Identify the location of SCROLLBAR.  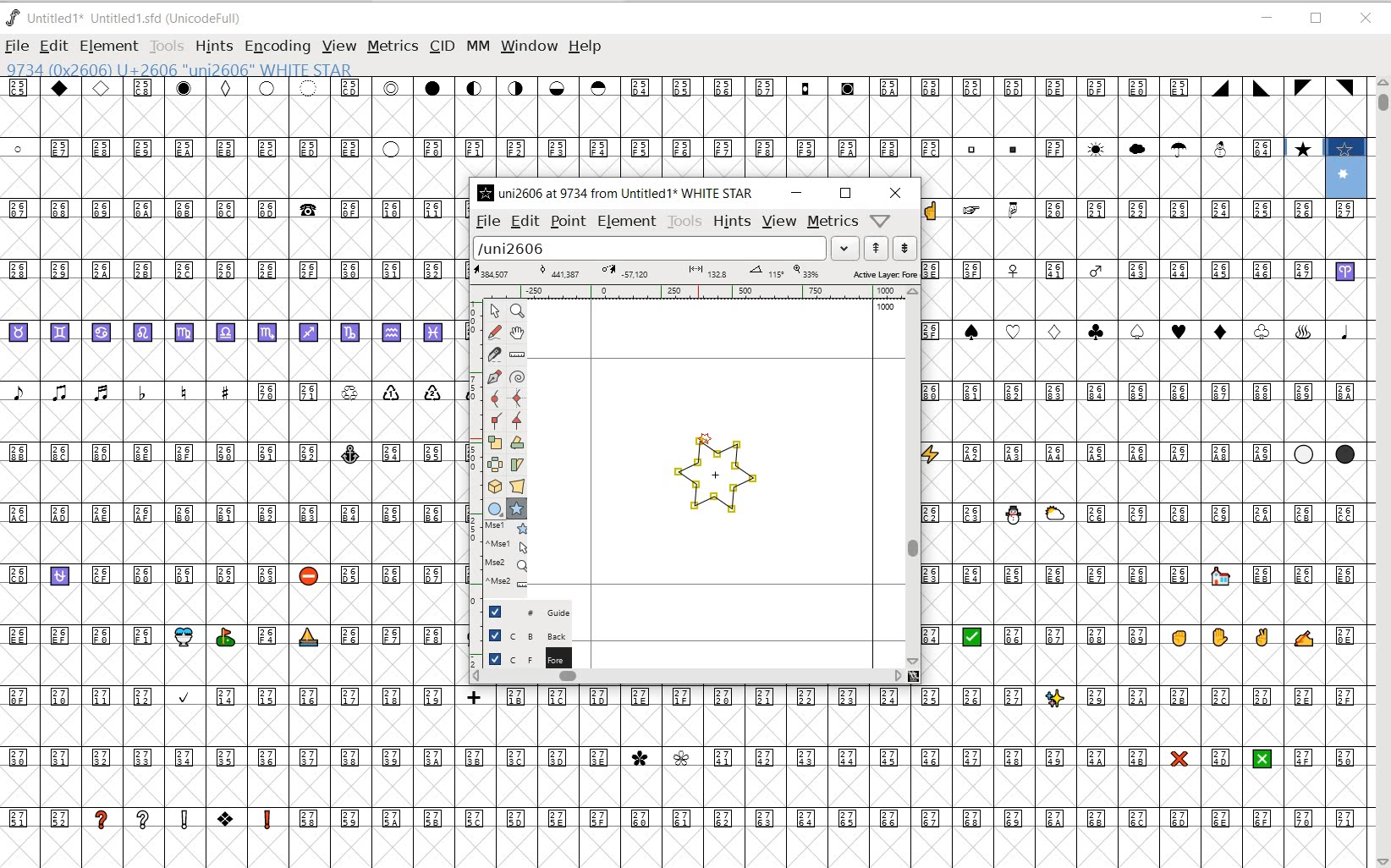
(913, 475).